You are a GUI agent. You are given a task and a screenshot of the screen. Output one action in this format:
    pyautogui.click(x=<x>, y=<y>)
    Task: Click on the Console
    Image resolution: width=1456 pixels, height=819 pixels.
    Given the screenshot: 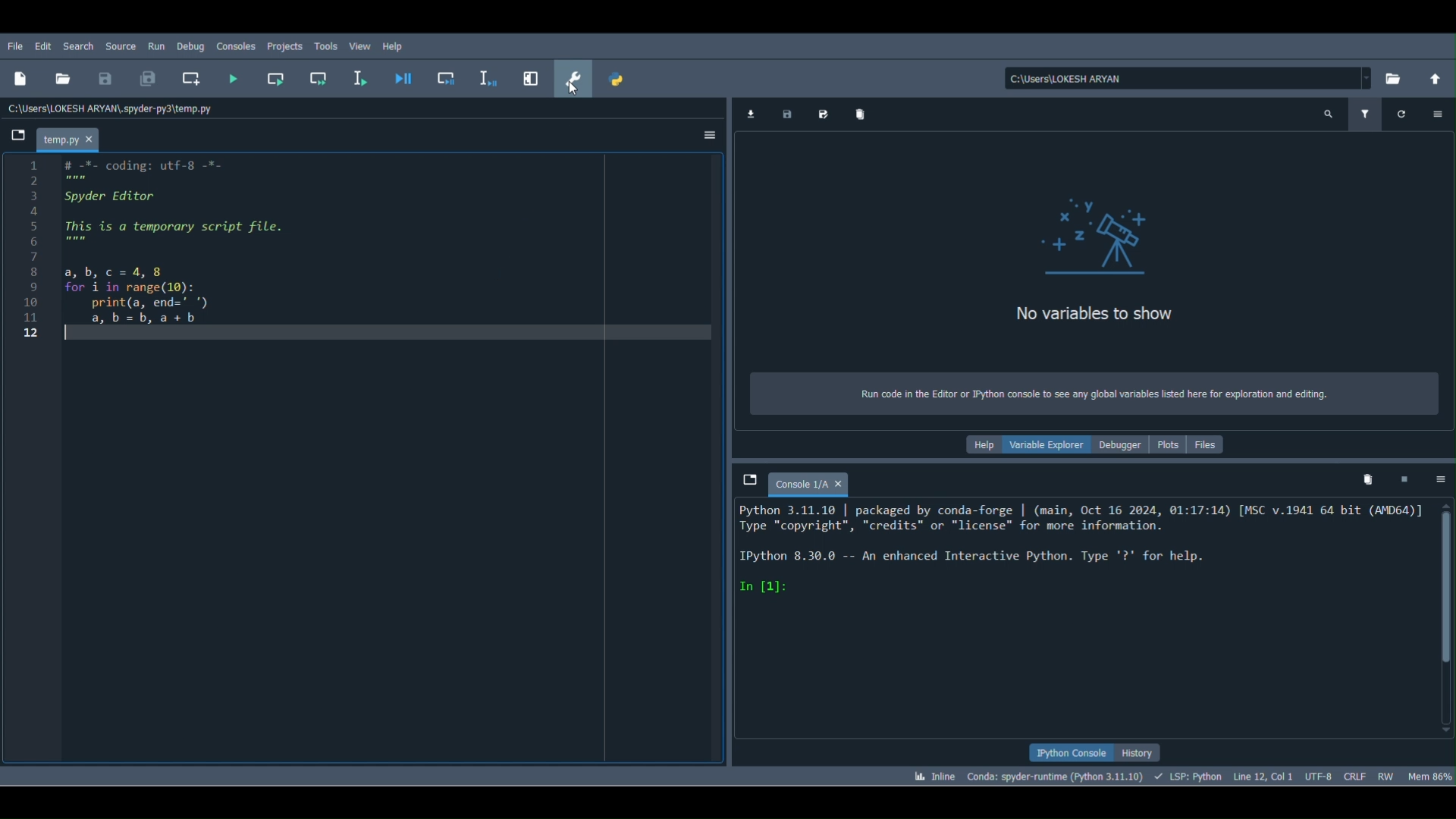 What is the action you would take?
    pyautogui.click(x=809, y=481)
    